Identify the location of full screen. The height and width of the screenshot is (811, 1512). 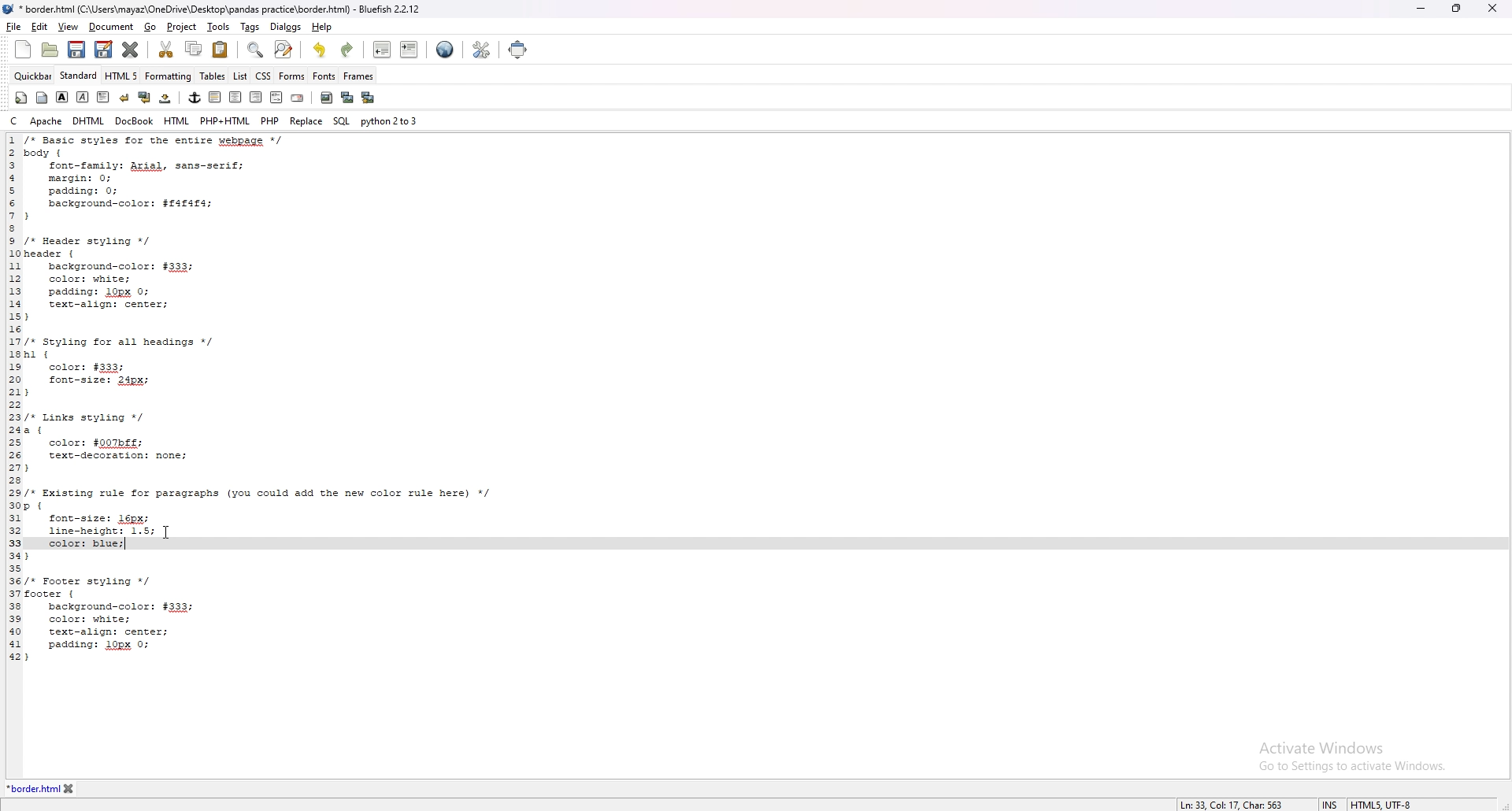
(526, 54).